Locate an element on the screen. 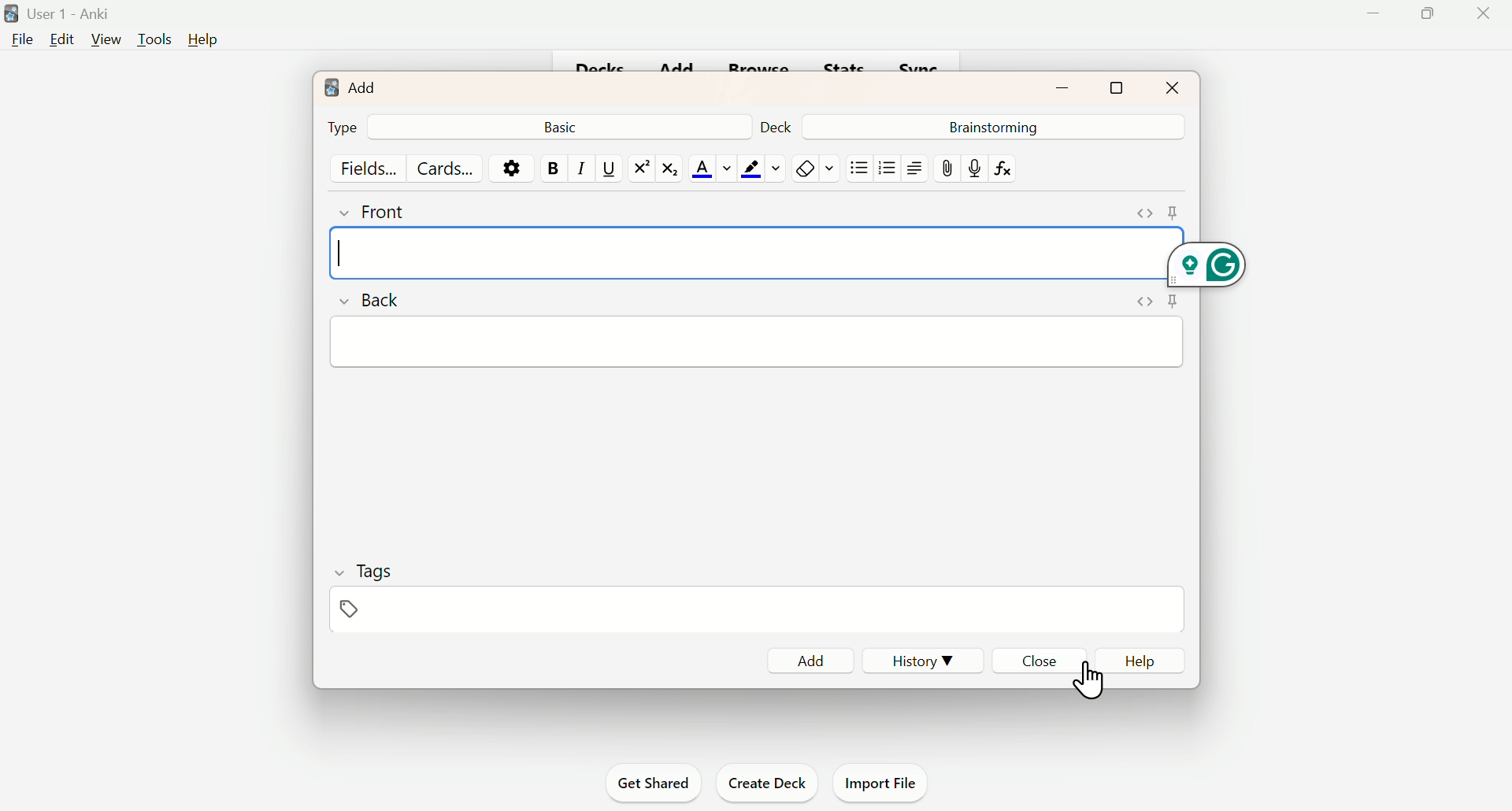 This screenshot has height=811, width=1512. Close is located at coordinates (1043, 660).